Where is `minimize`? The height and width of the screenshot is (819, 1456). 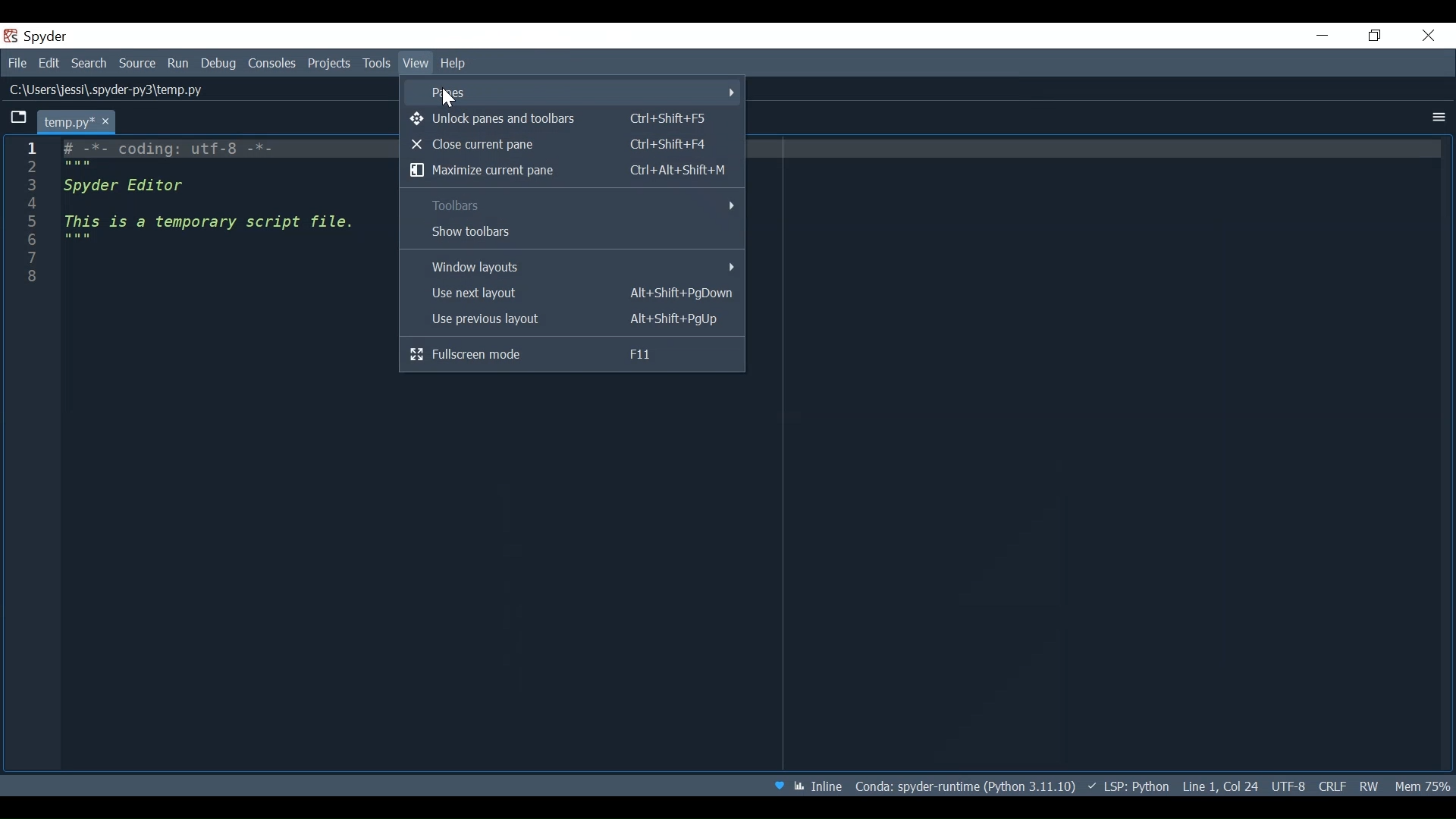 minimize is located at coordinates (1321, 35).